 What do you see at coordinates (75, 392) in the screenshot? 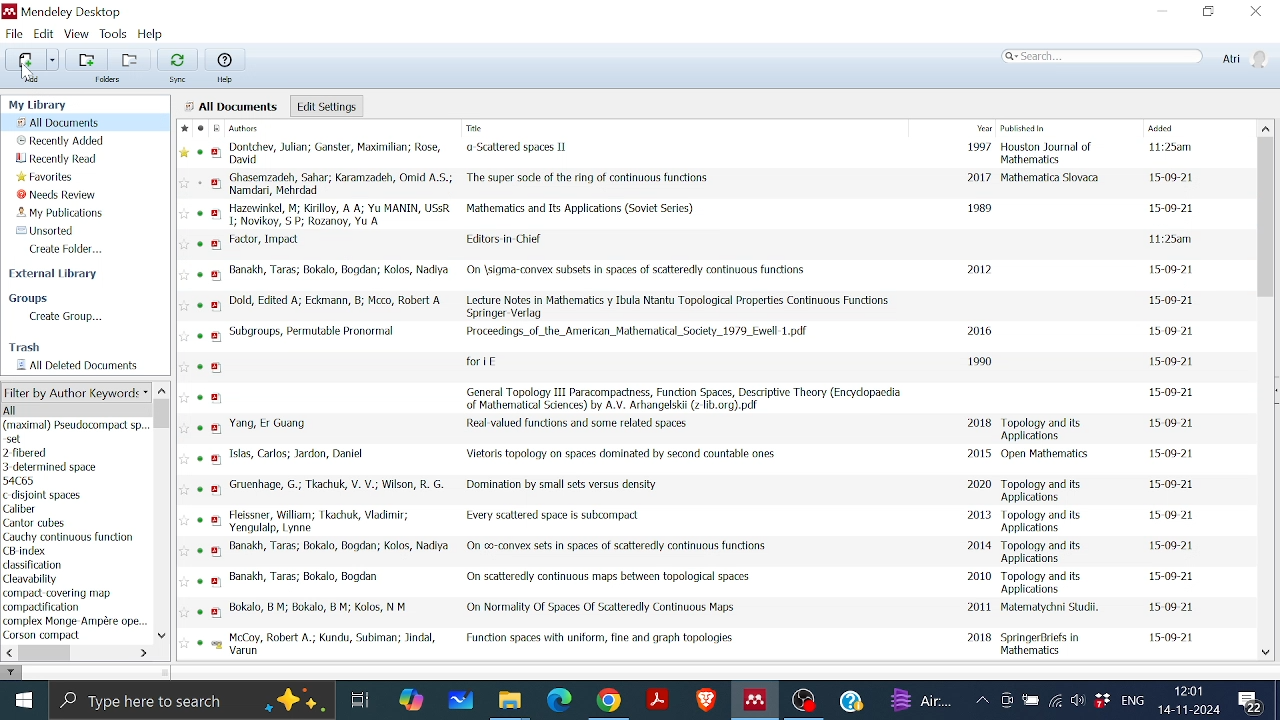
I see `Filter options` at bounding box center [75, 392].